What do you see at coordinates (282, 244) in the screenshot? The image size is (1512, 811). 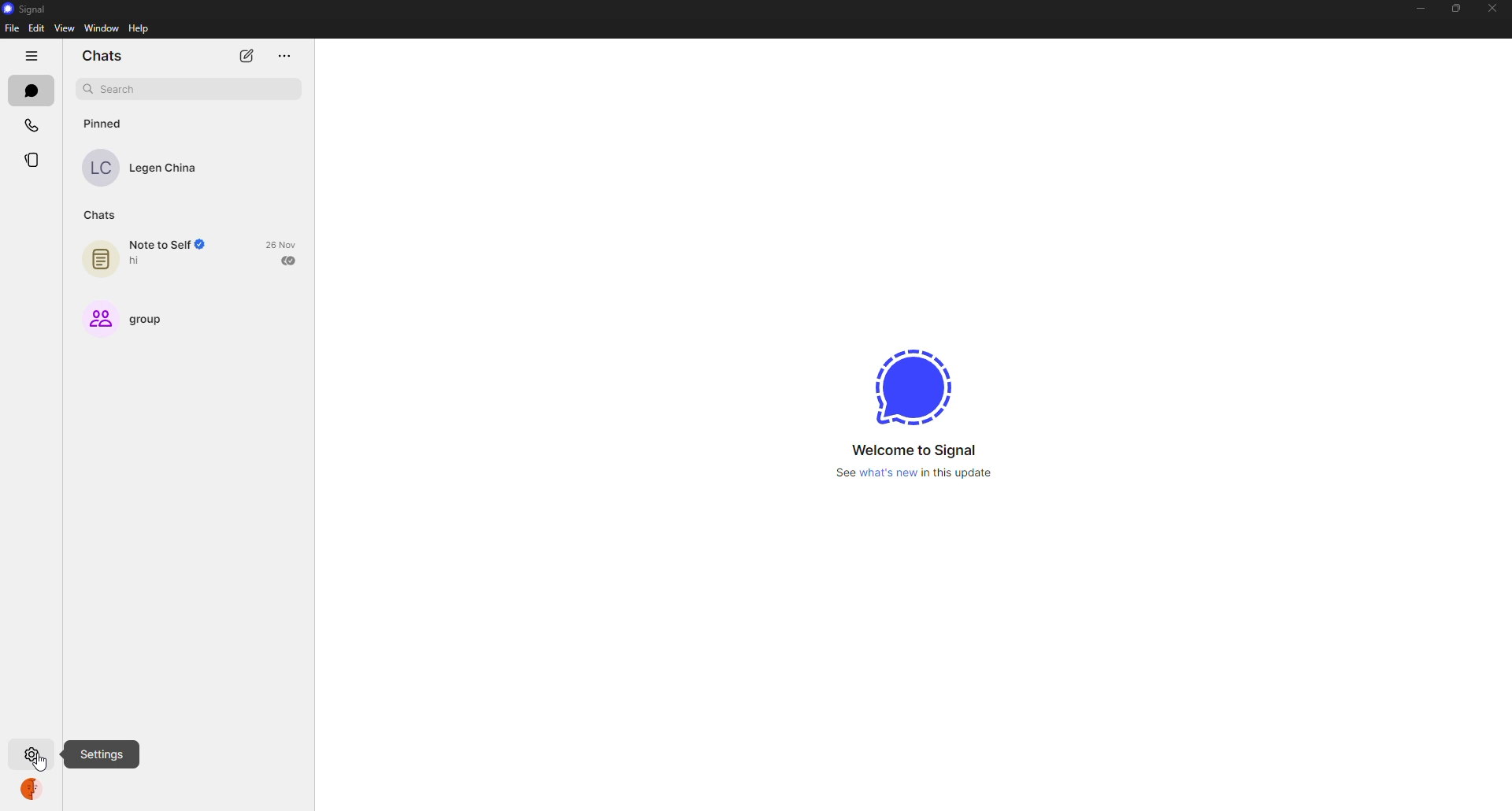 I see `date` at bounding box center [282, 244].